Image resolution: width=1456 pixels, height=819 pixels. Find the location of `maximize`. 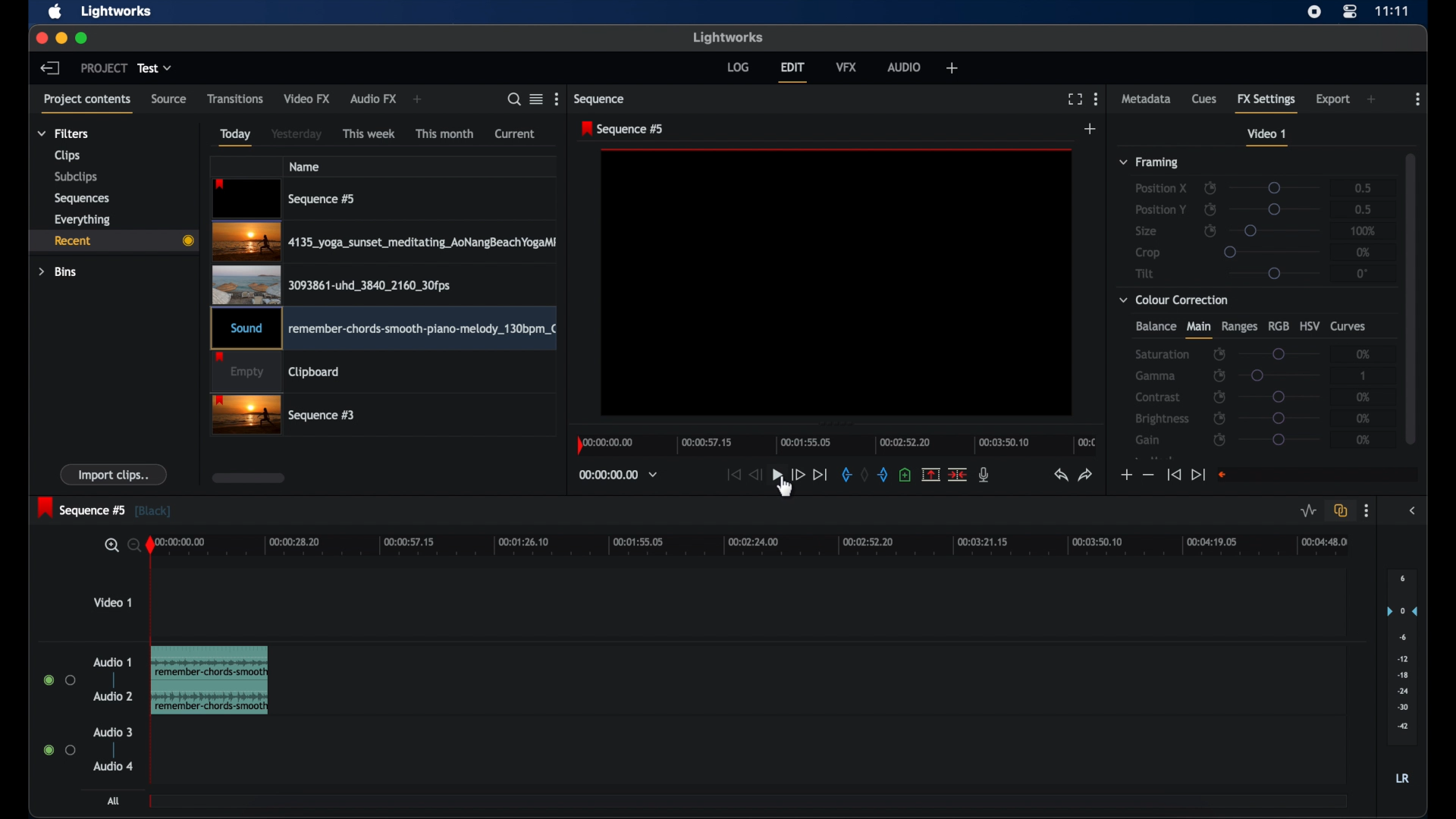

maximize is located at coordinates (82, 39).